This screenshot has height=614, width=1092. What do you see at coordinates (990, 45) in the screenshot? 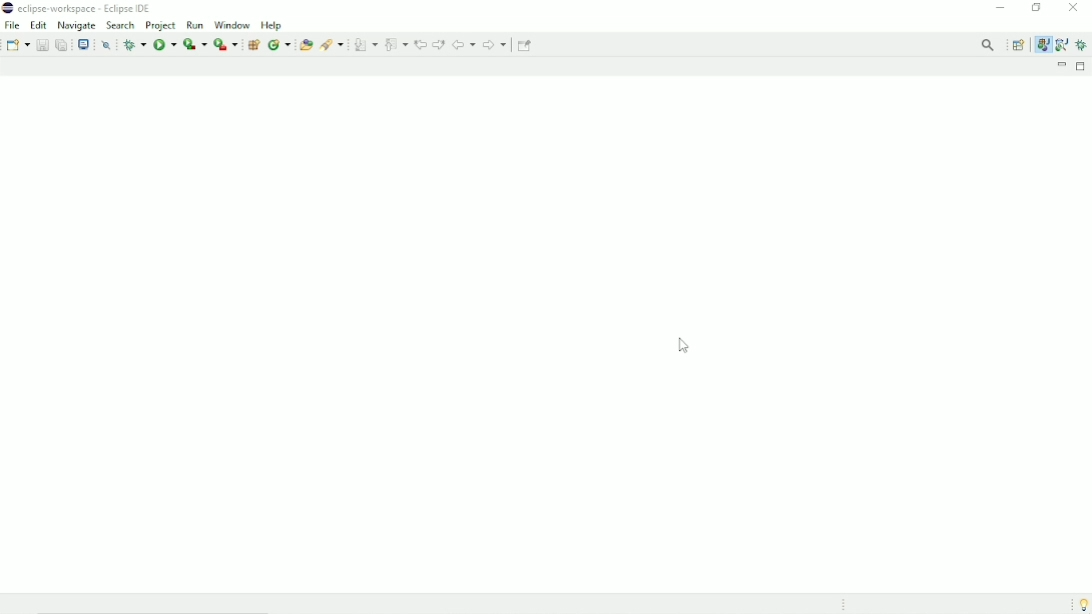
I see `Access commands and other items` at bounding box center [990, 45].